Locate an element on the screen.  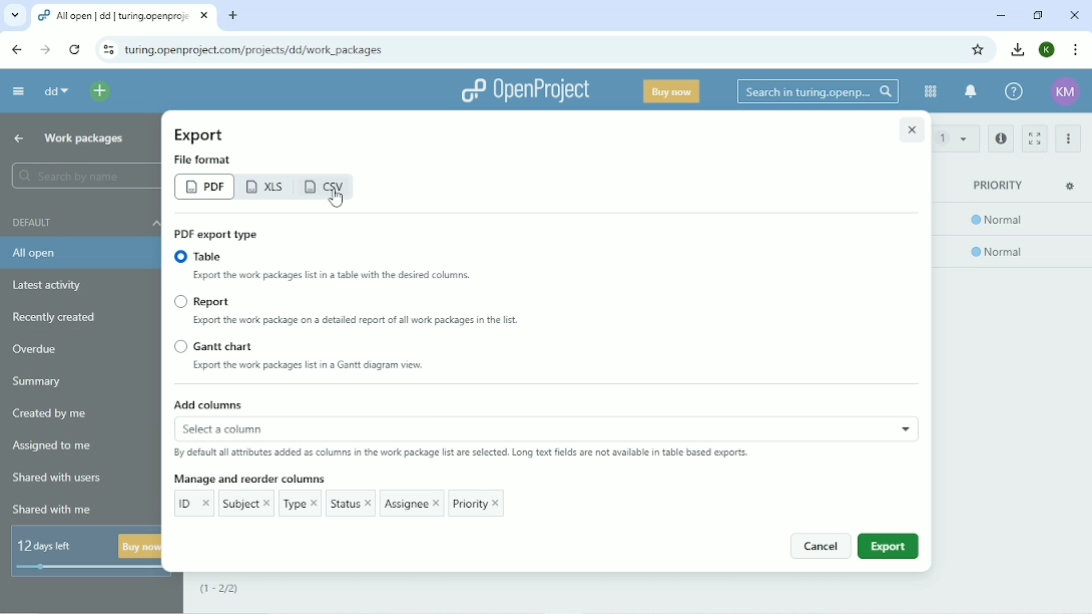
Export is located at coordinates (200, 136).